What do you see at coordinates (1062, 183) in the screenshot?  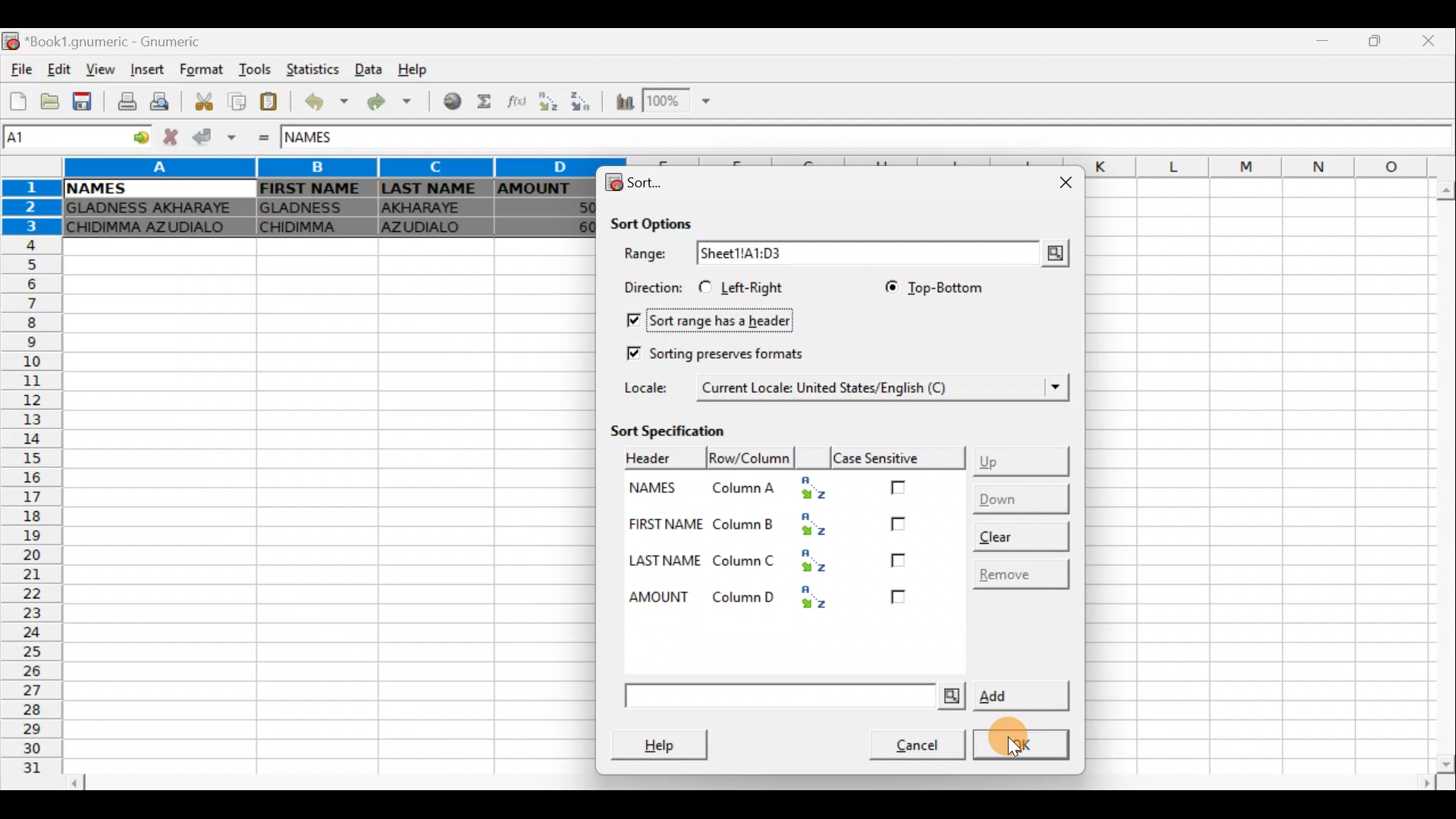 I see `Close` at bounding box center [1062, 183].